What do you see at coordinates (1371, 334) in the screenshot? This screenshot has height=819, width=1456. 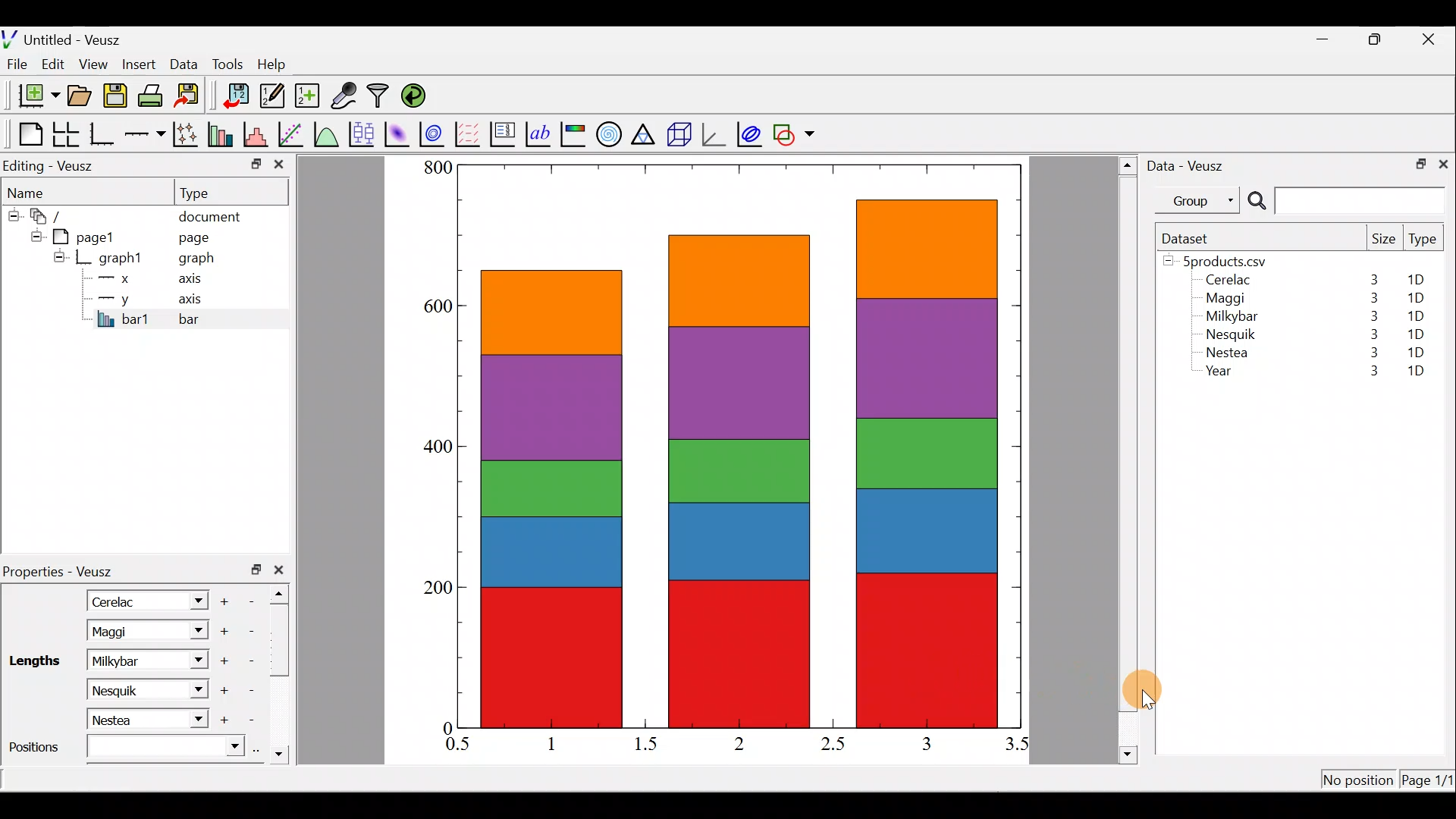 I see `3` at bounding box center [1371, 334].